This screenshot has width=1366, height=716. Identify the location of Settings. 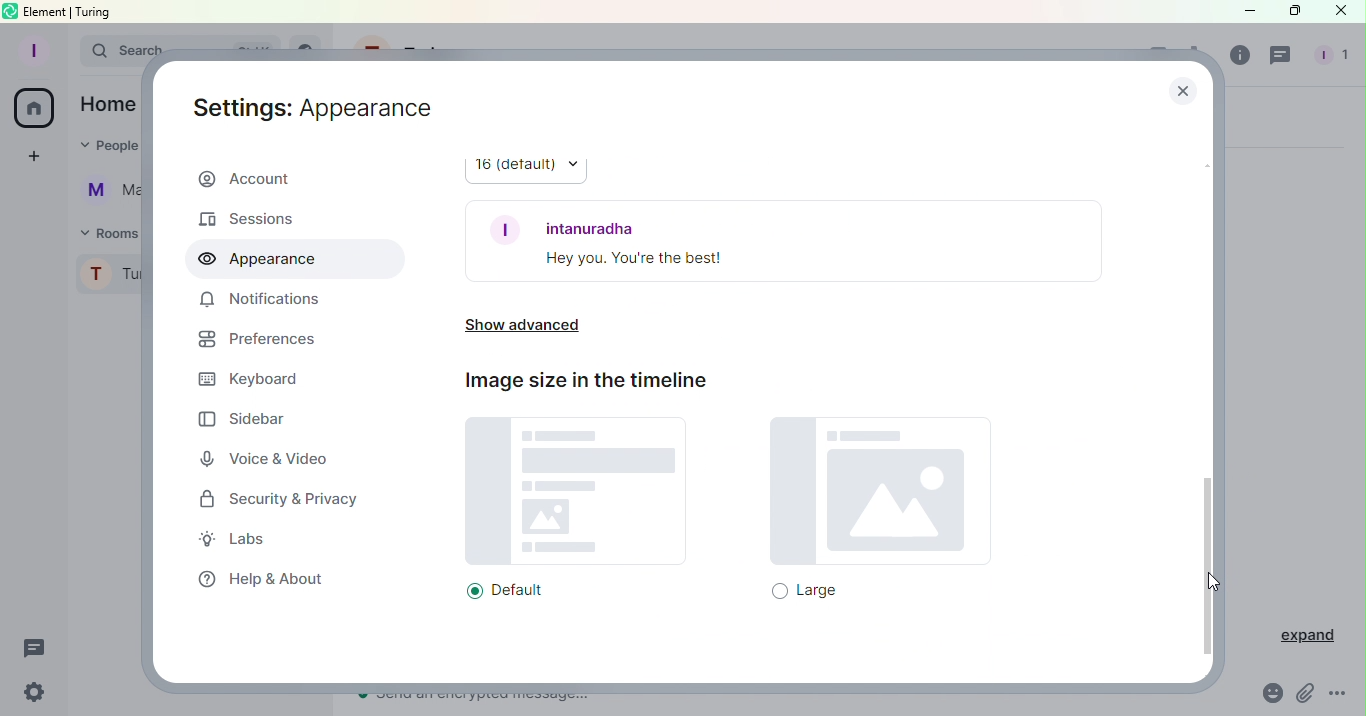
(35, 690).